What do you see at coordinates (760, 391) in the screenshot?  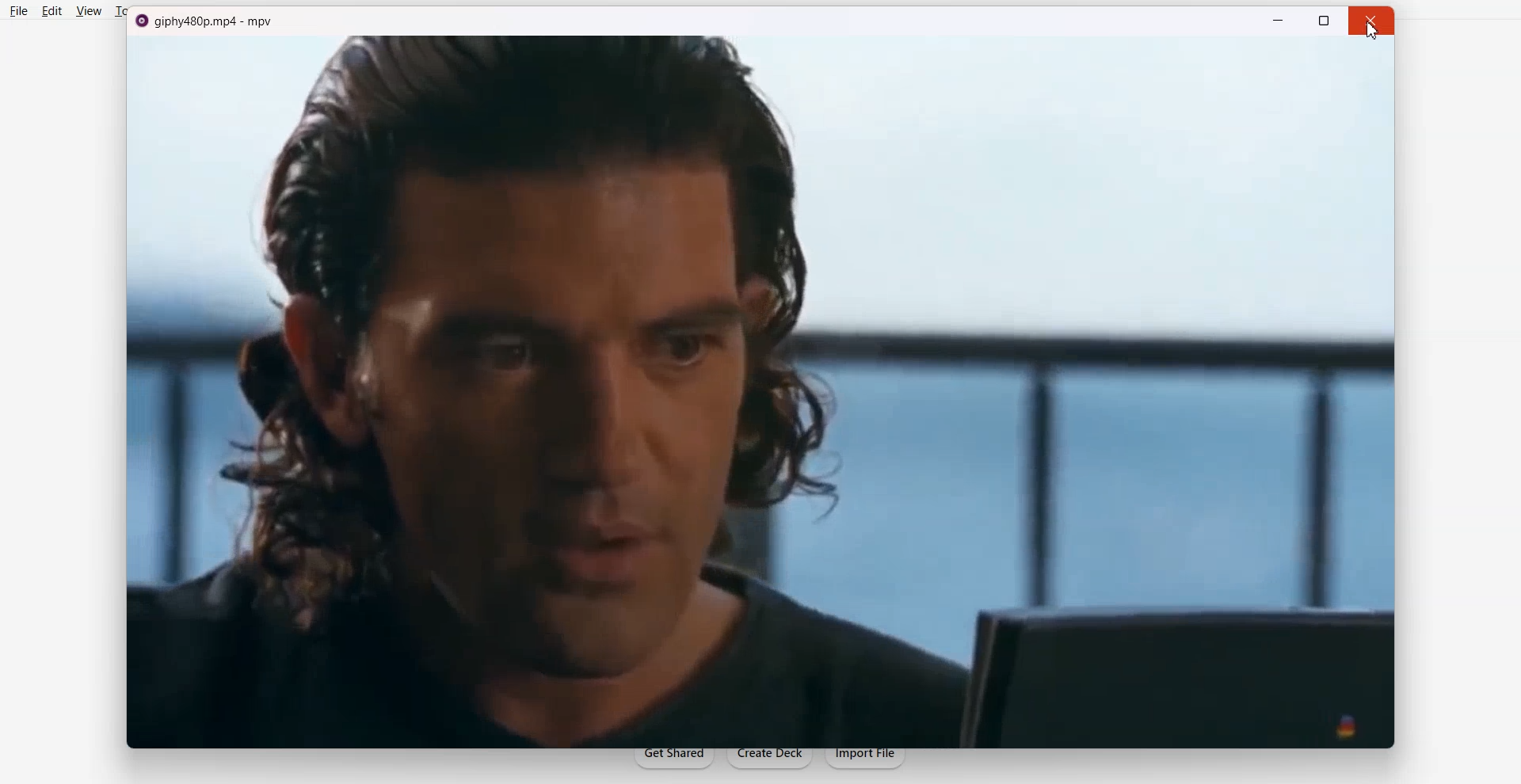 I see `File Preview` at bounding box center [760, 391].